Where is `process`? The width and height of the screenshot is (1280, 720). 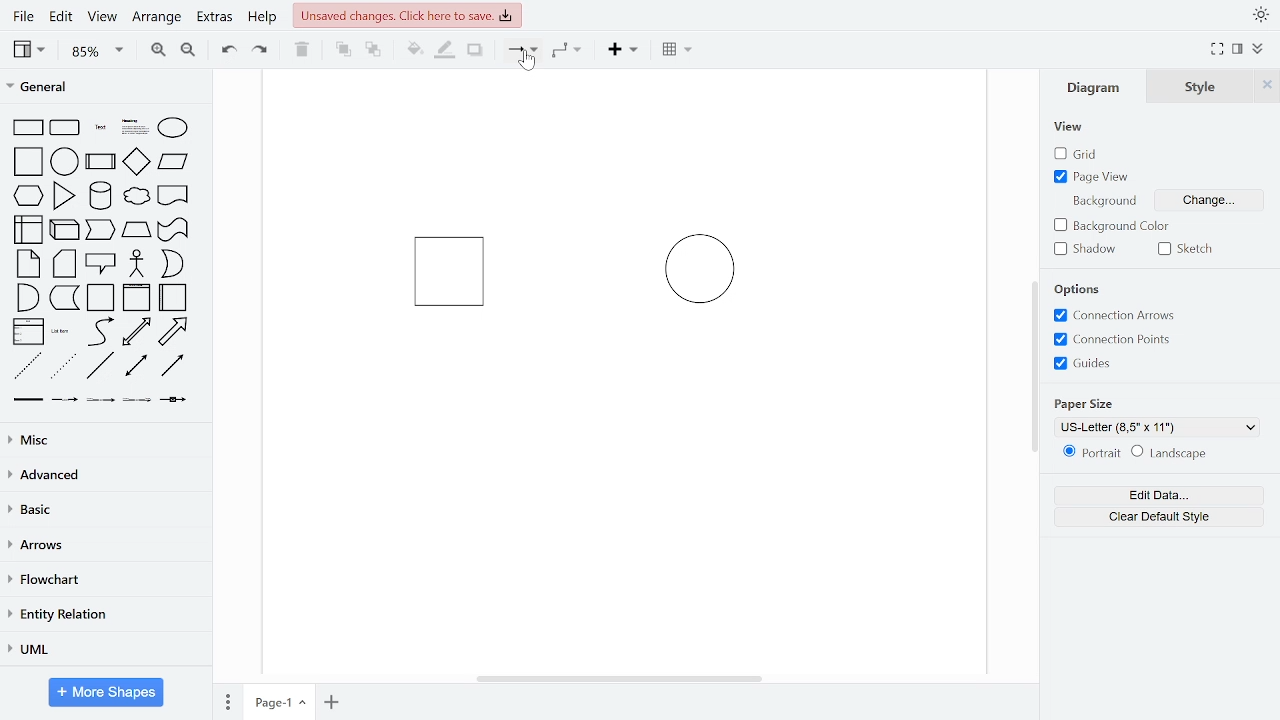
process is located at coordinates (101, 163).